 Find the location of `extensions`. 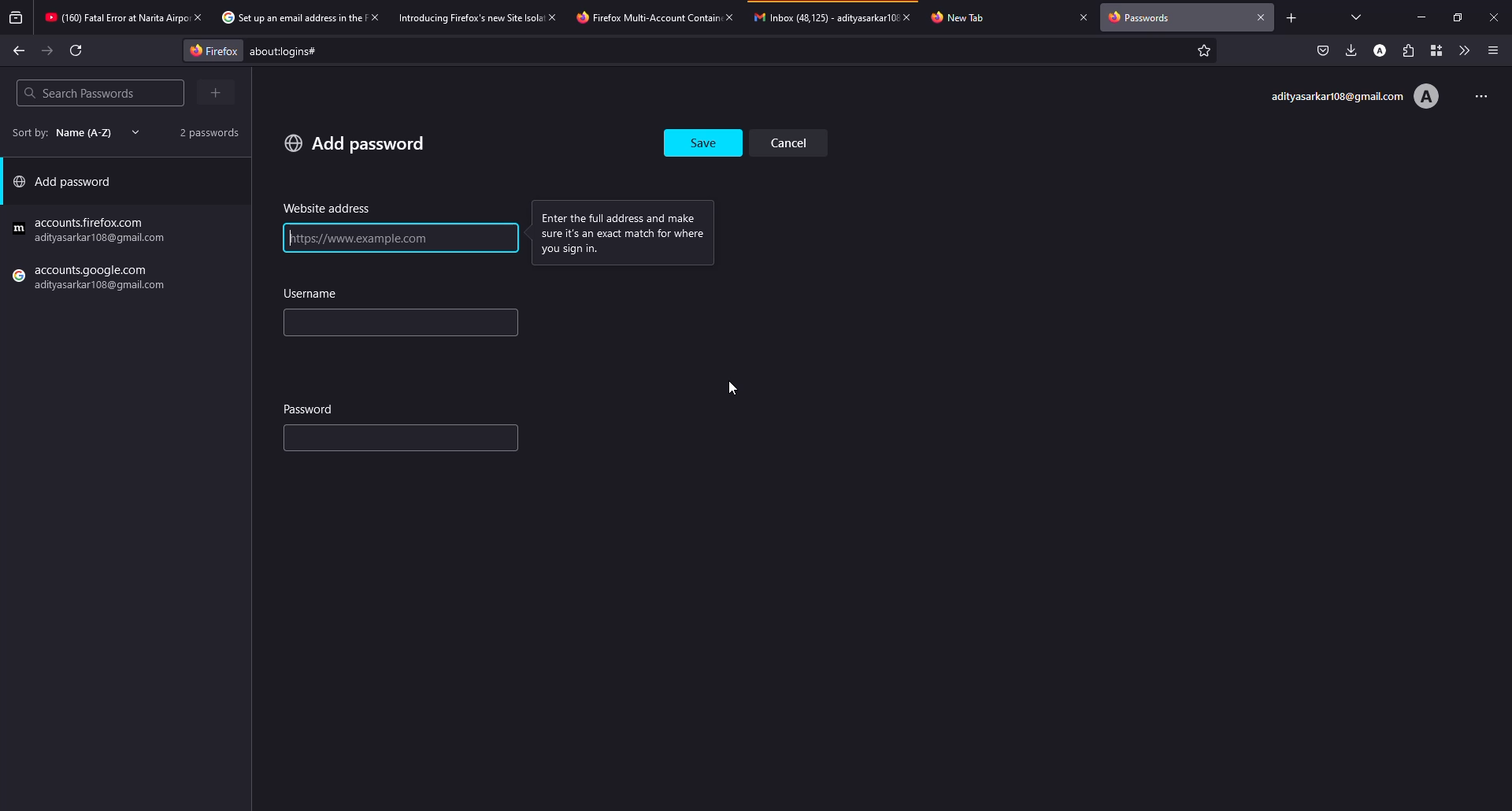

extensions is located at coordinates (1407, 50).